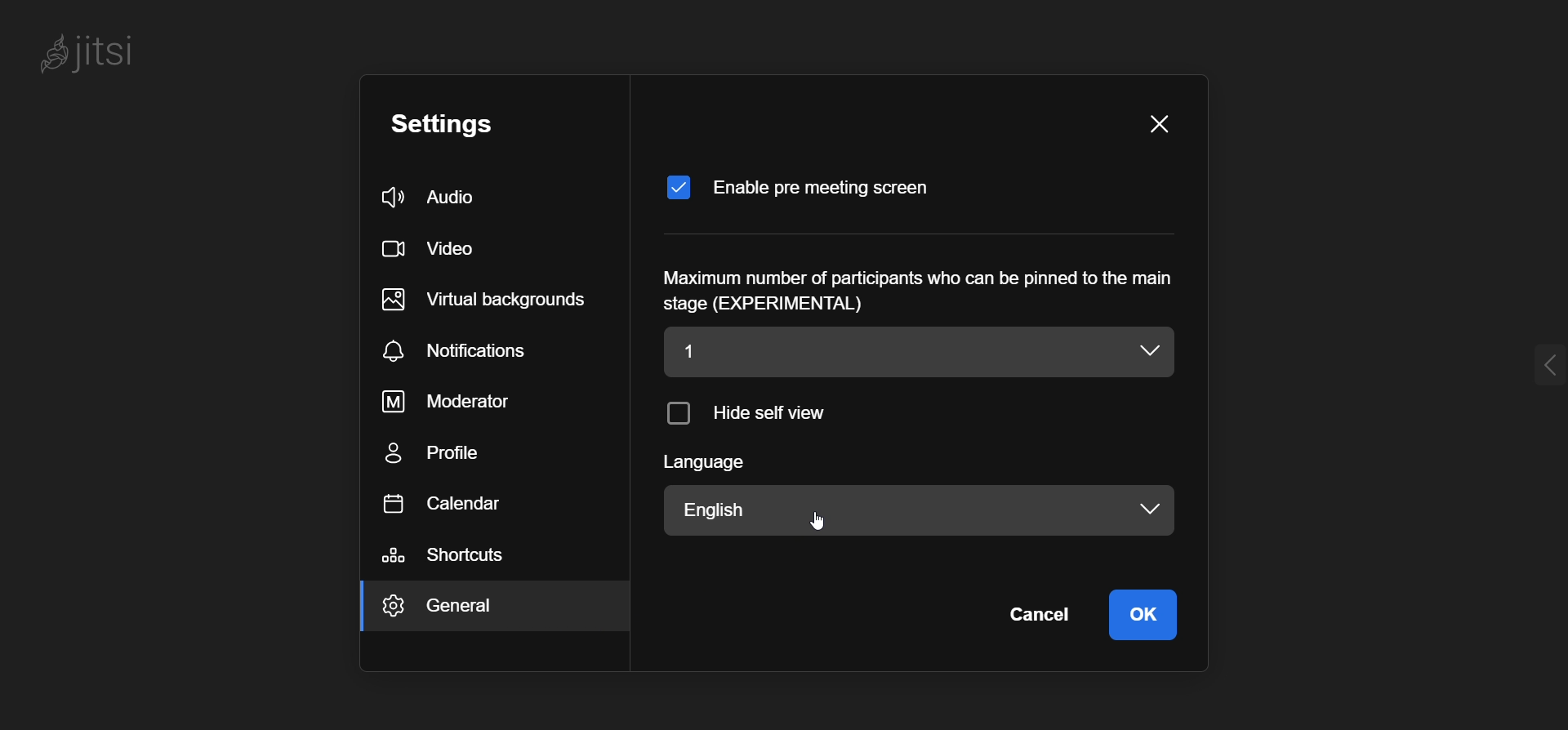  Describe the element at coordinates (817, 523) in the screenshot. I see `Cursor` at that location.